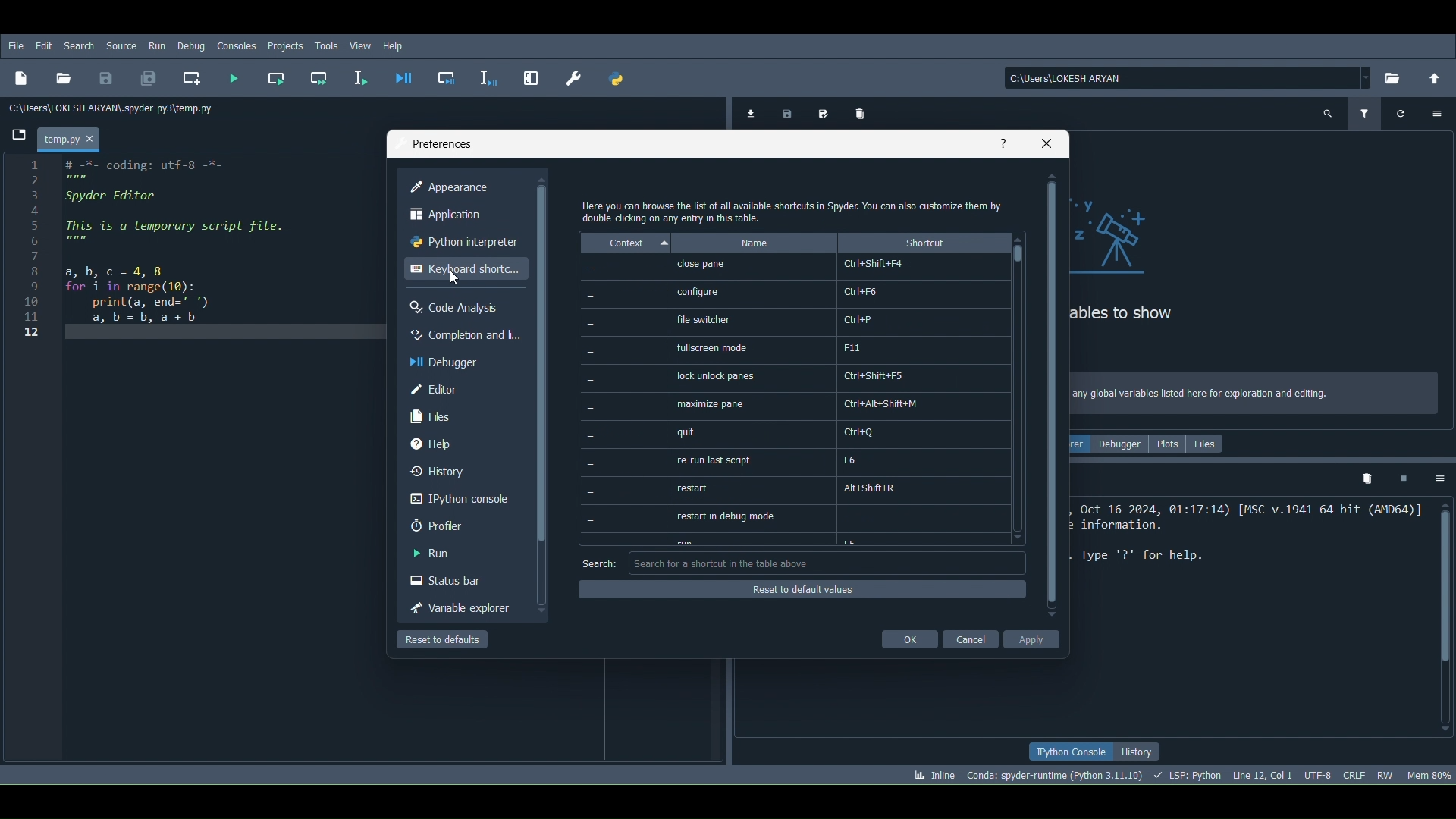  Describe the element at coordinates (193, 78) in the screenshot. I see `Create a new cell at the current line (Ctrl + 2)` at that location.